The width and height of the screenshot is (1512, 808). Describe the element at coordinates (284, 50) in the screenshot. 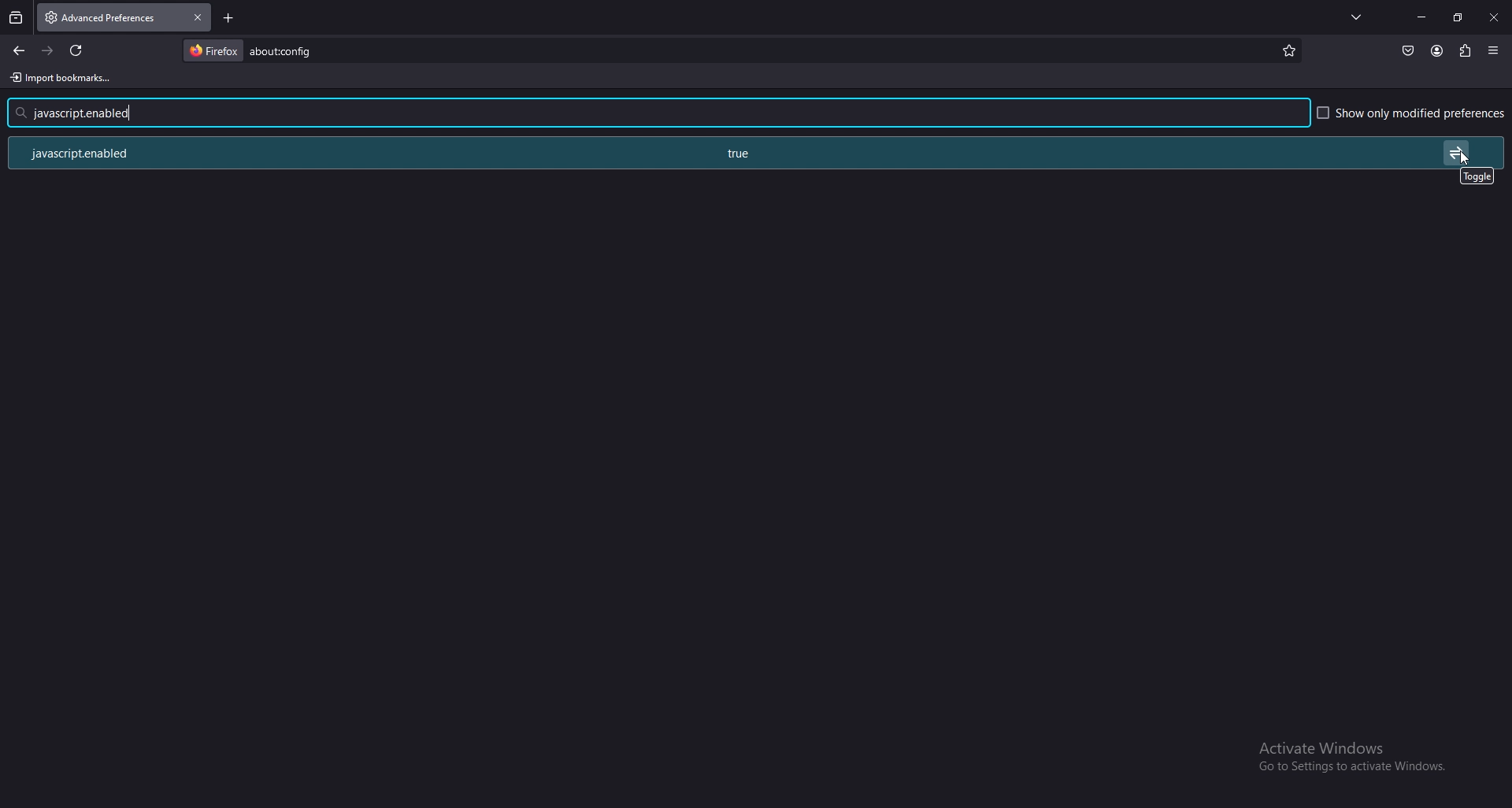

I see `search item` at that location.